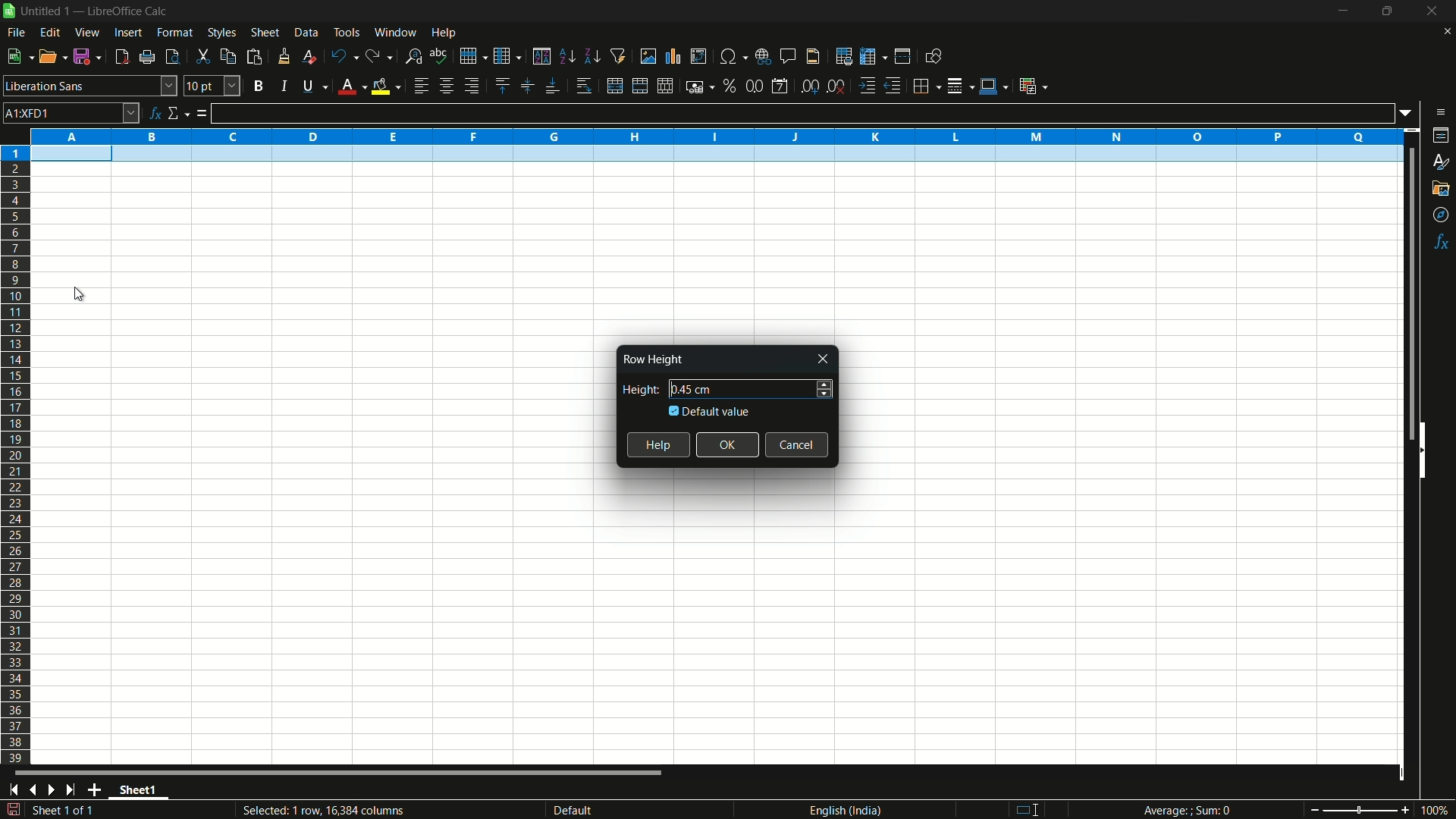 This screenshot has height=819, width=1456. Describe the element at coordinates (473, 55) in the screenshot. I see `row` at that location.